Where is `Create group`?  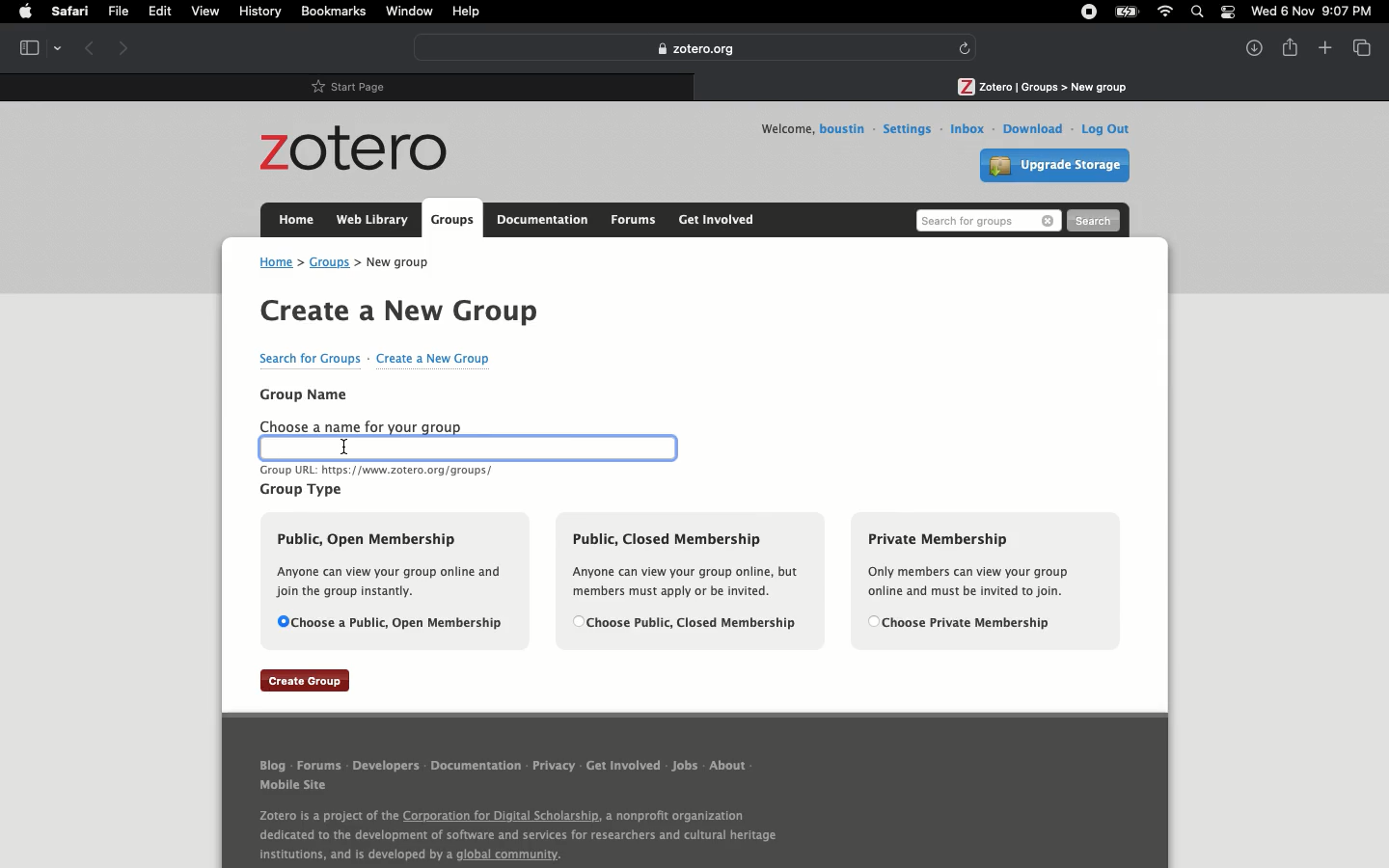
Create group is located at coordinates (310, 680).